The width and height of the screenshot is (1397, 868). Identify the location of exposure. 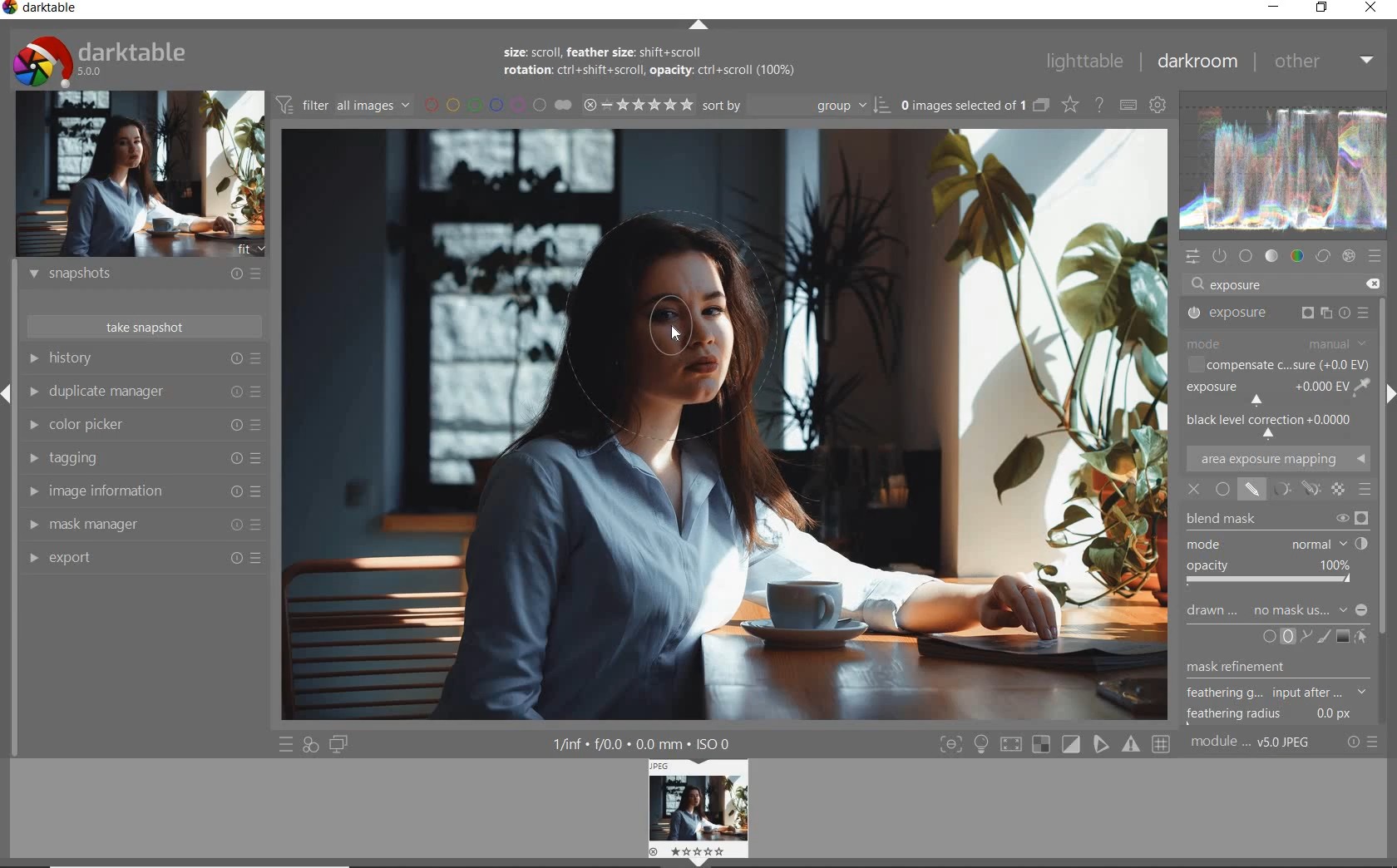
(1238, 284).